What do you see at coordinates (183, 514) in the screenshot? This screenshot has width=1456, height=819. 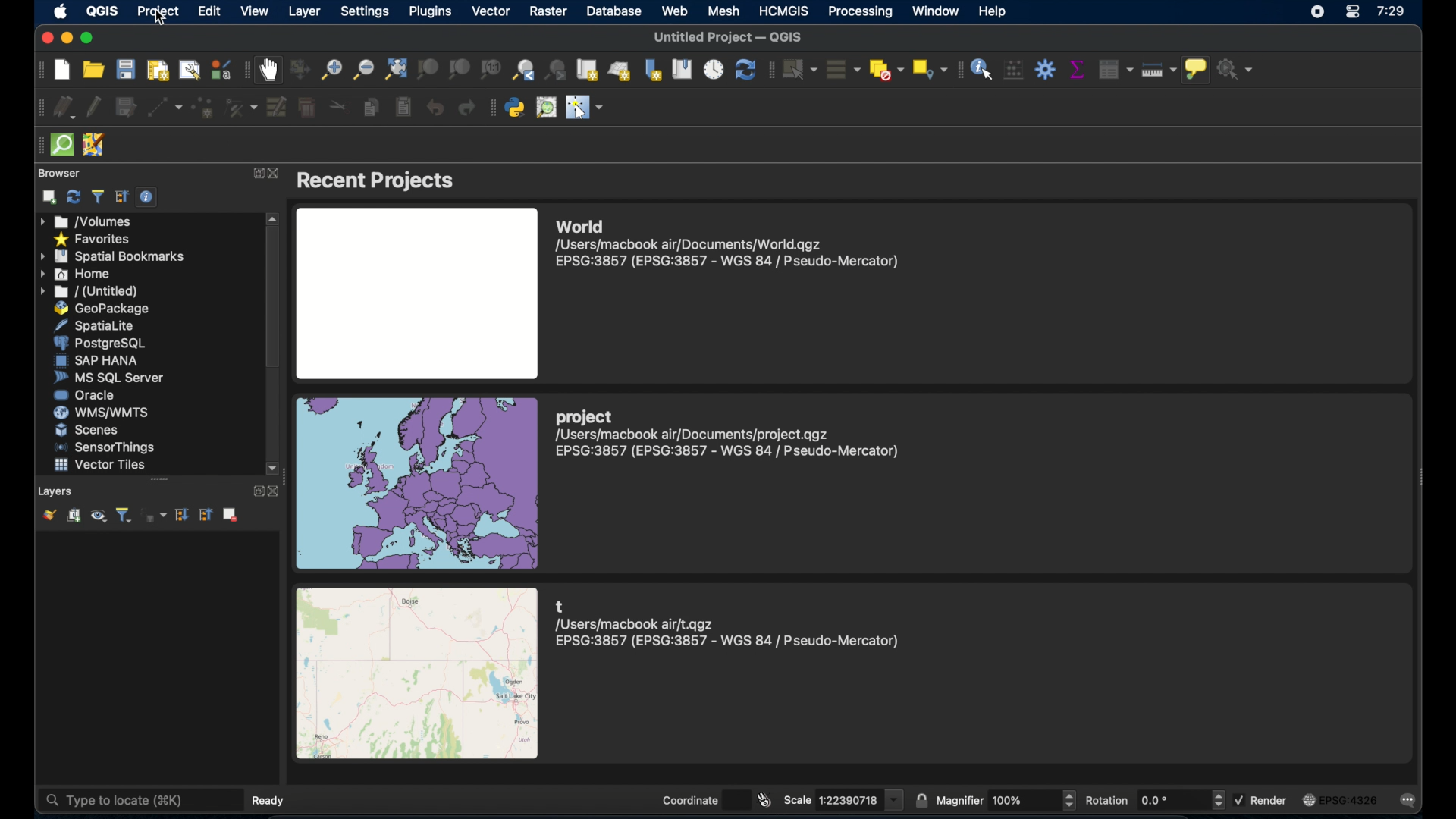 I see `expand all` at bounding box center [183, 514].